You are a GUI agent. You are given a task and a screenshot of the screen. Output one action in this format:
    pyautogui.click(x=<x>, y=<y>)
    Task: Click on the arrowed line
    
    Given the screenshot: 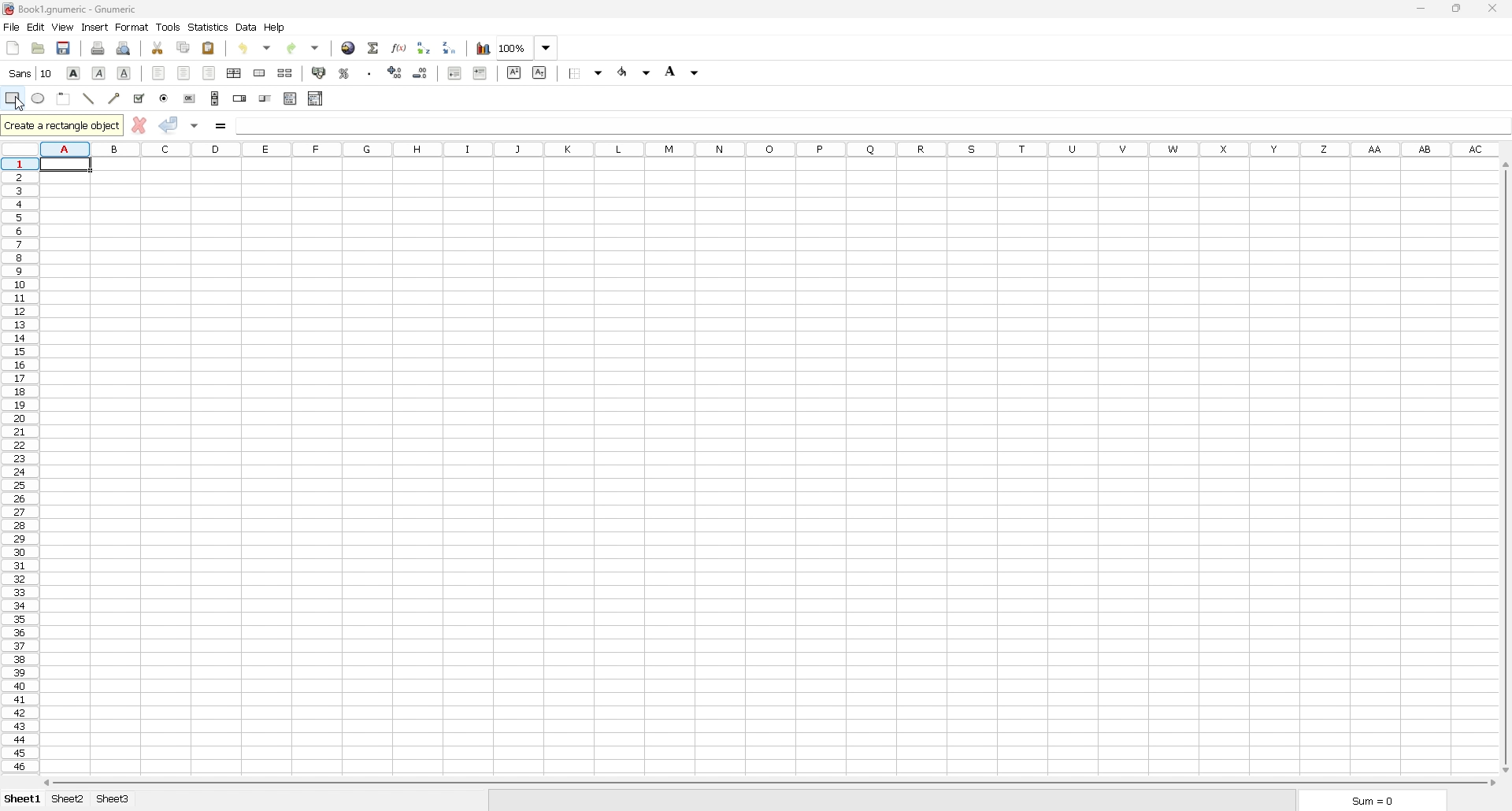 What is the action you would take?
    pyautogui.click(x=113, y=98)
    